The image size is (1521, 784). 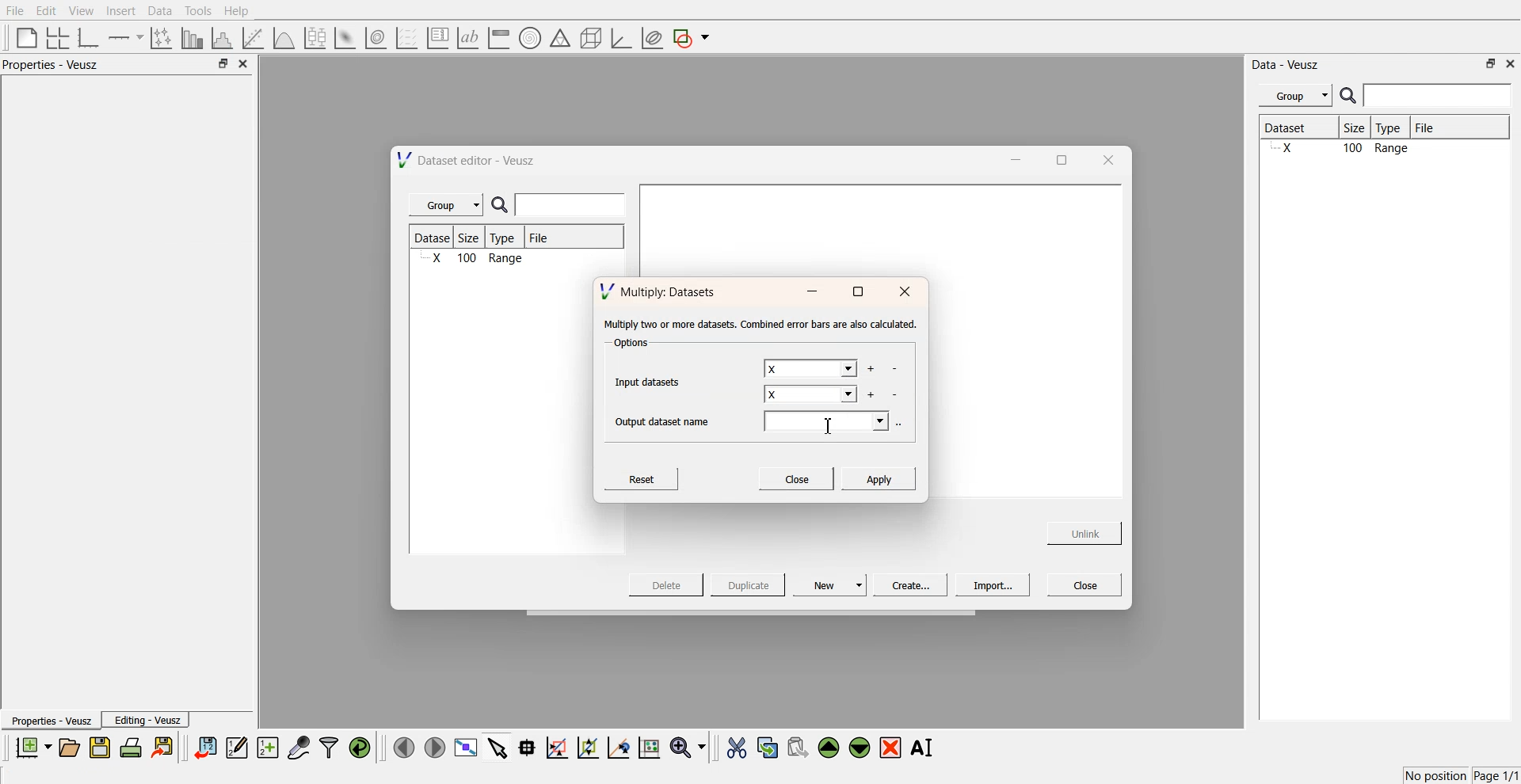 I want to click on add a shape, so click(x=692, y=39).